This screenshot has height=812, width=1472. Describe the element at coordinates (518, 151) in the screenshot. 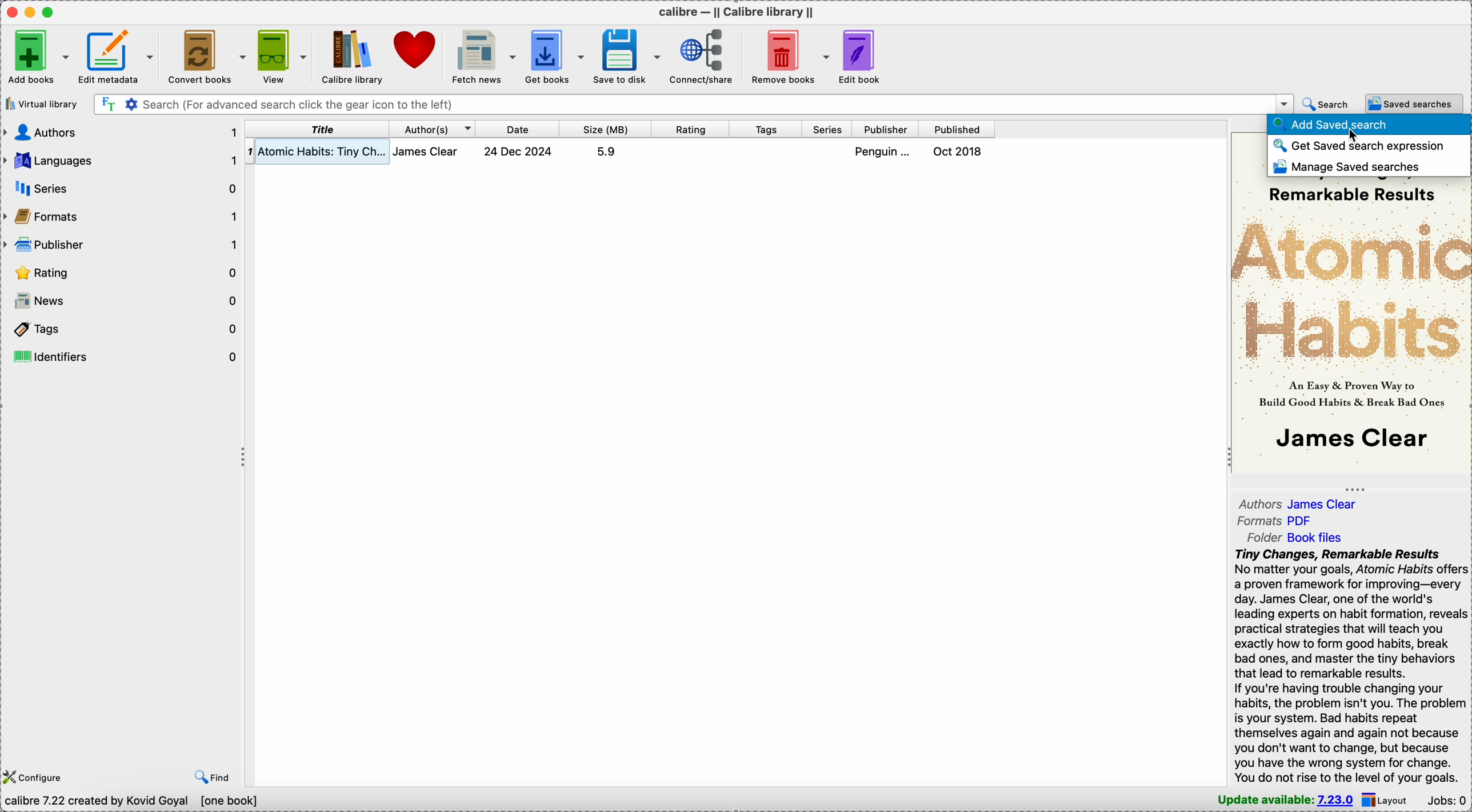

I see `24 Dec 2024` at that location.